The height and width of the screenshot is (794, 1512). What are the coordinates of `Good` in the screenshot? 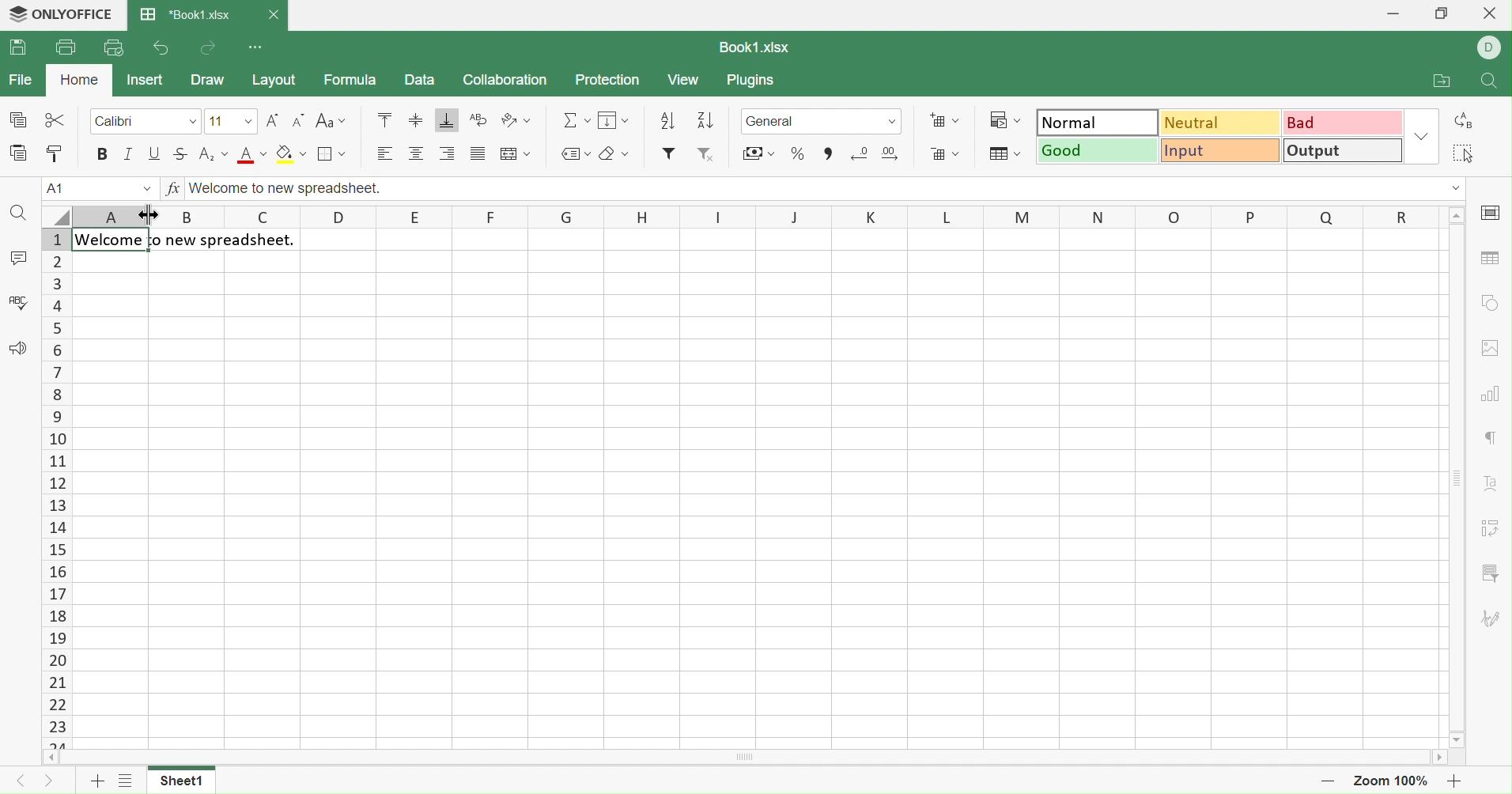 It's located at (1098, 151).